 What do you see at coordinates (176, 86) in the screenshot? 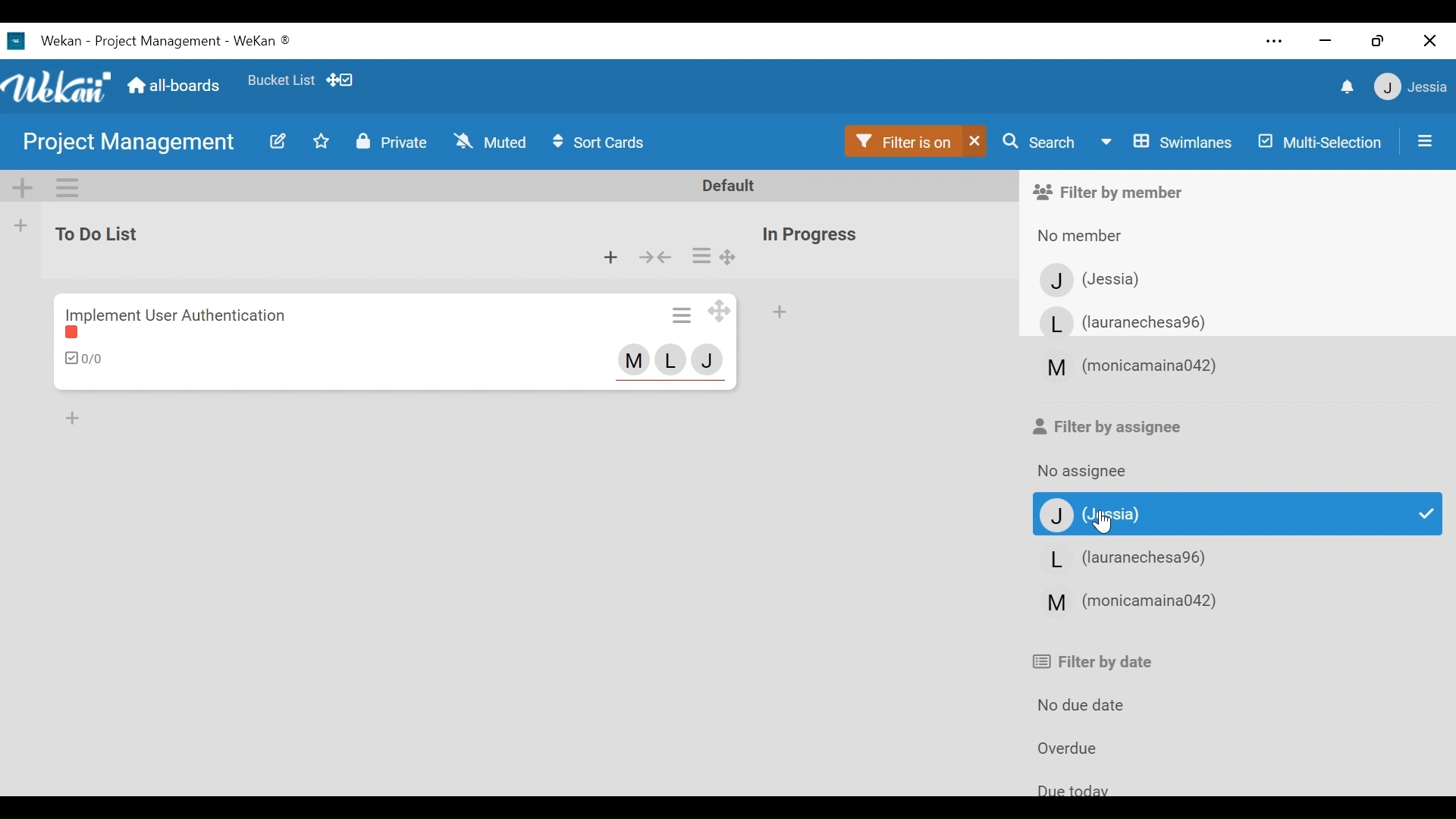
I see `Home (all-boards)` at bounding box center [176, 86].